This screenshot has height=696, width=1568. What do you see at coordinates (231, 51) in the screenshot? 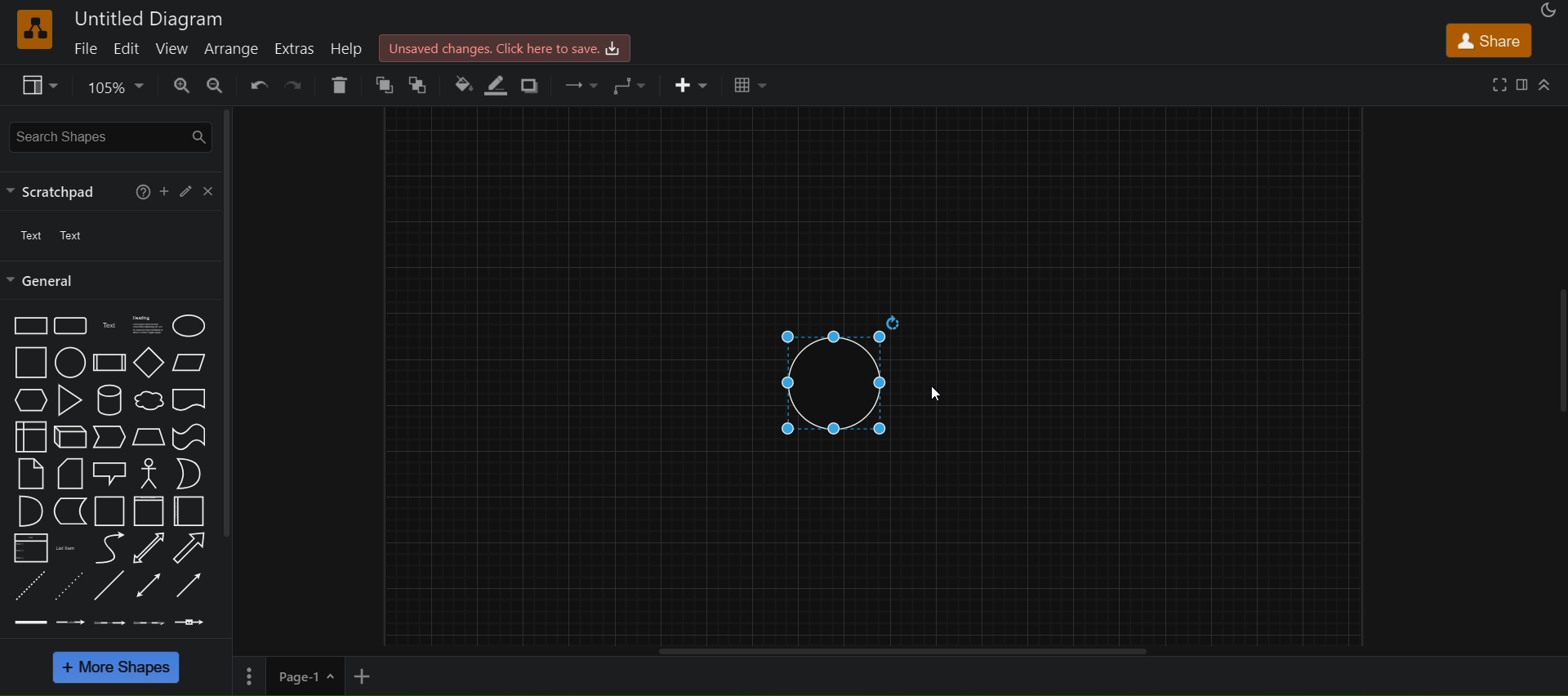
I see `arrange` at bounding box center [231, 51].